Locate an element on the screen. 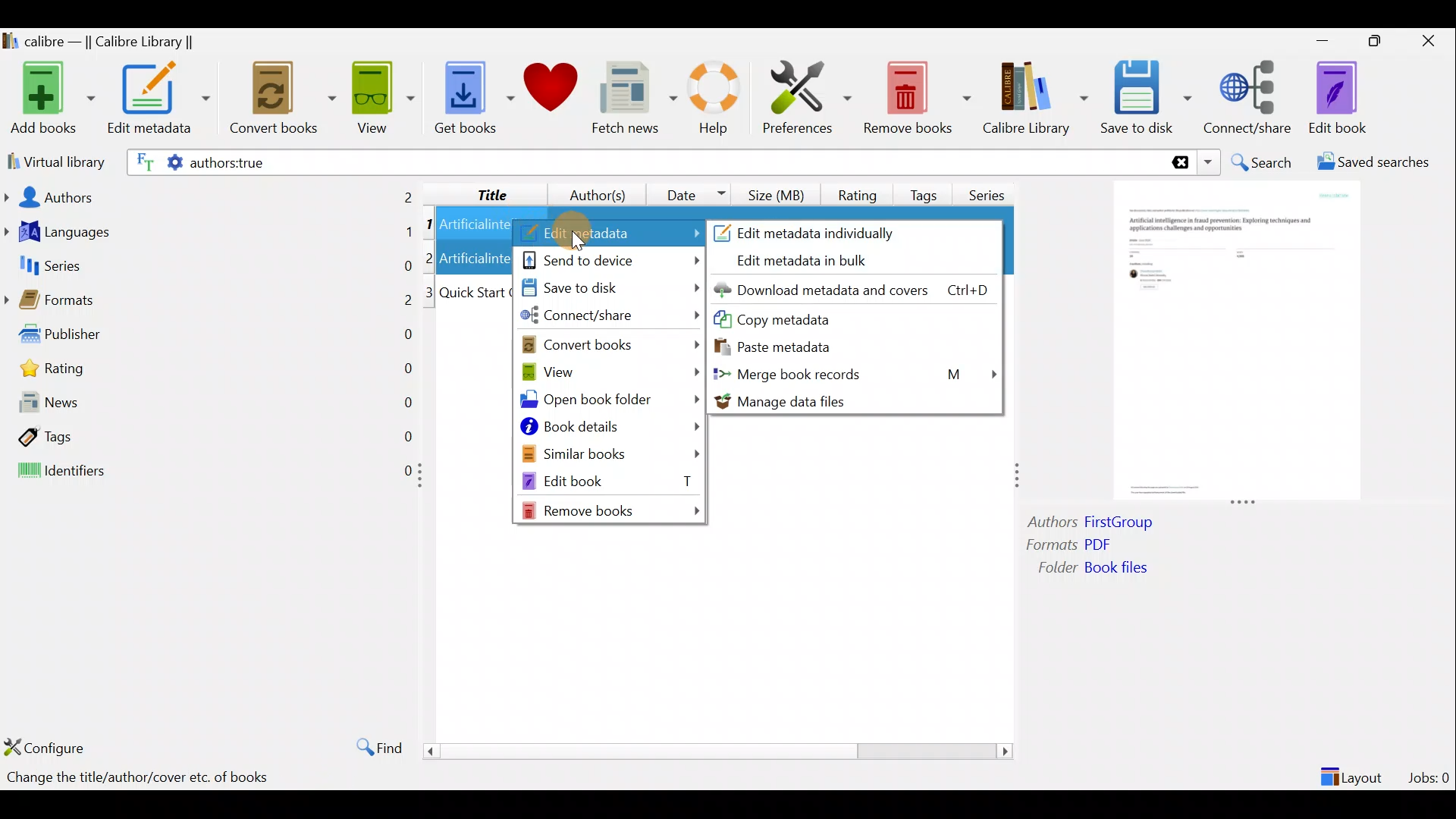 The width and height of the screenshot is (1456, 819). Send to device is located at coordinates (610, 259).